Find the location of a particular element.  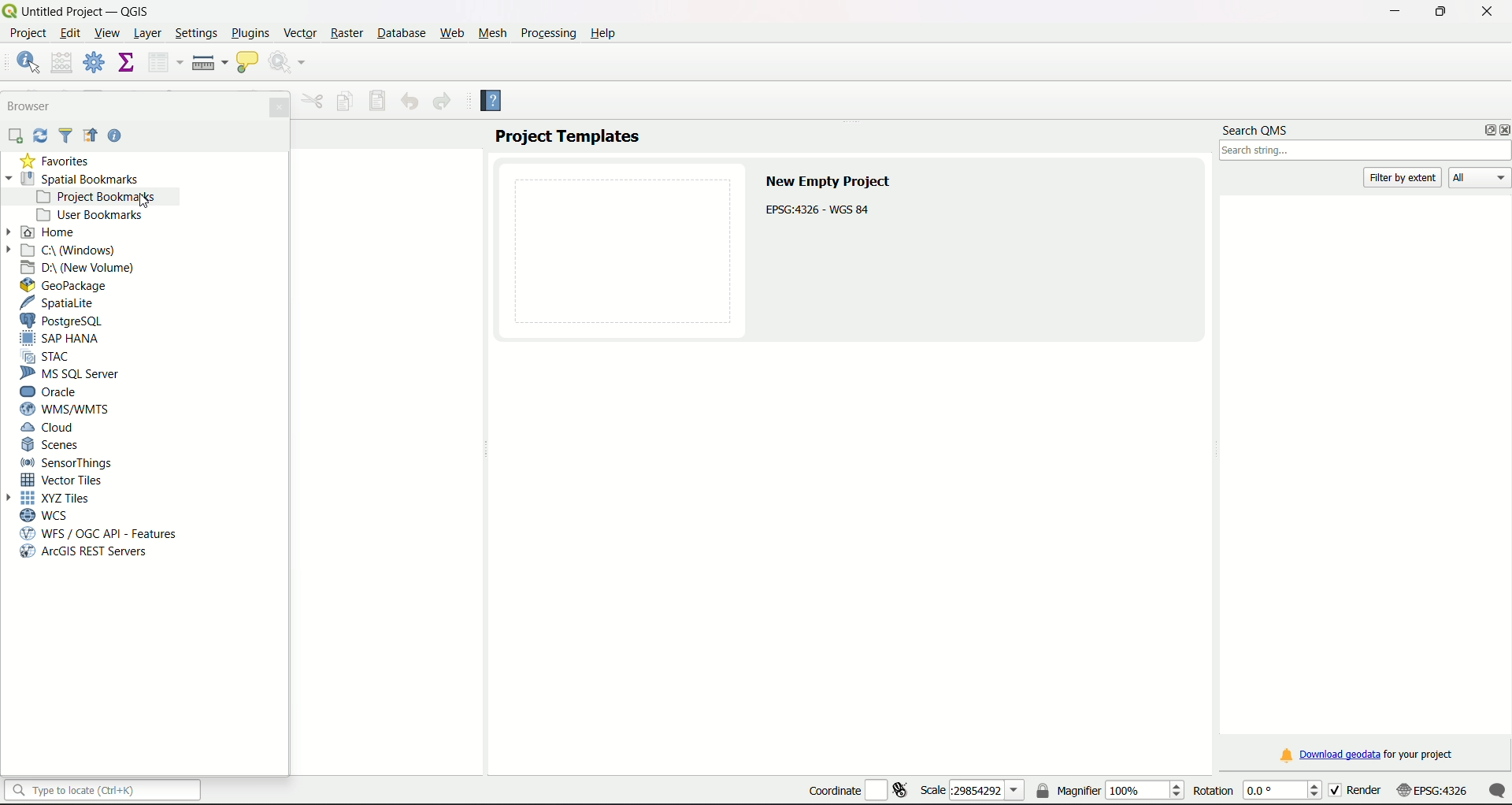

XYZ Tiles is located at coordinates (55, 499).